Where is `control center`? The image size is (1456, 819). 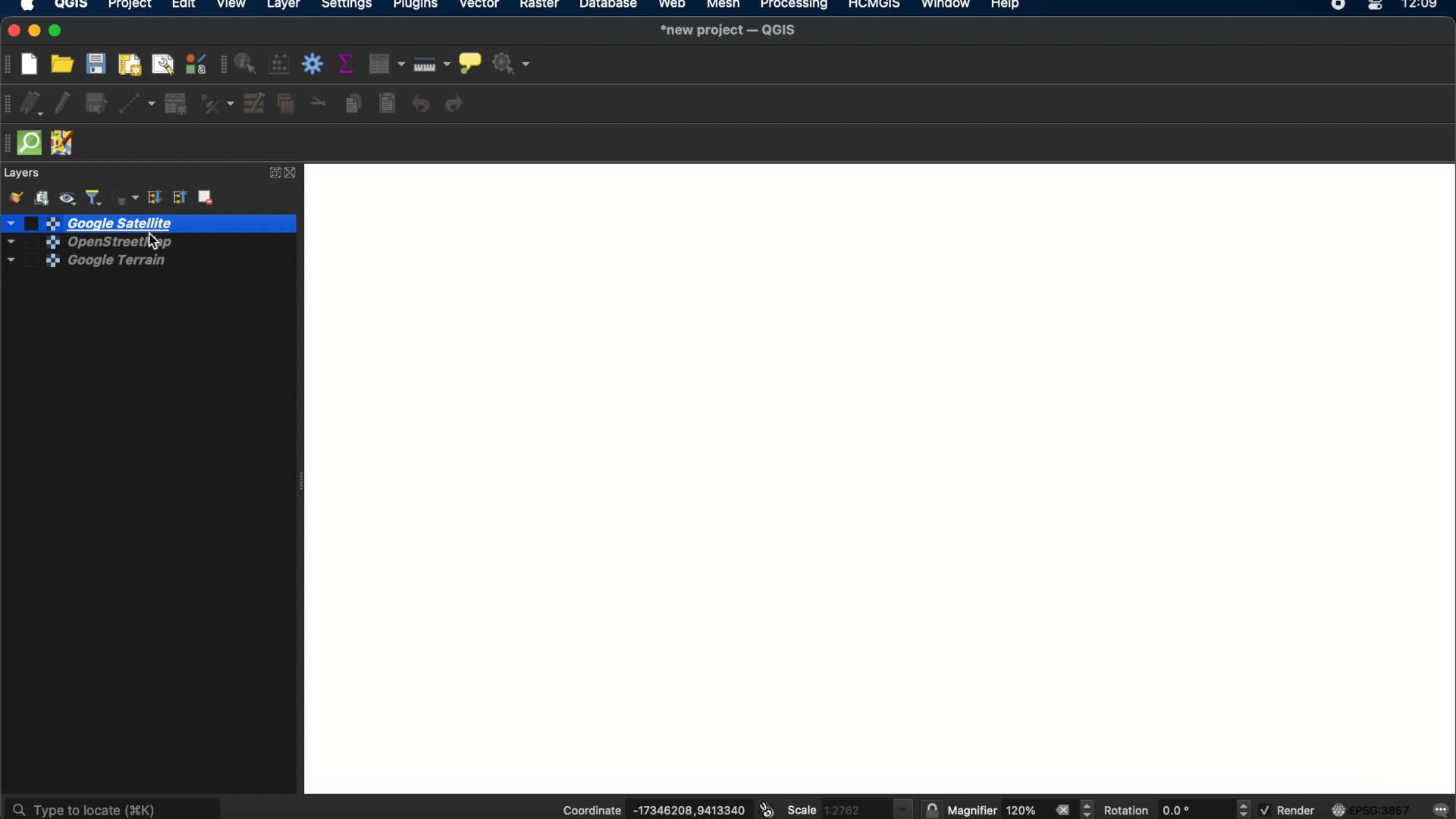
control center is located at coordinates (1377, 6).